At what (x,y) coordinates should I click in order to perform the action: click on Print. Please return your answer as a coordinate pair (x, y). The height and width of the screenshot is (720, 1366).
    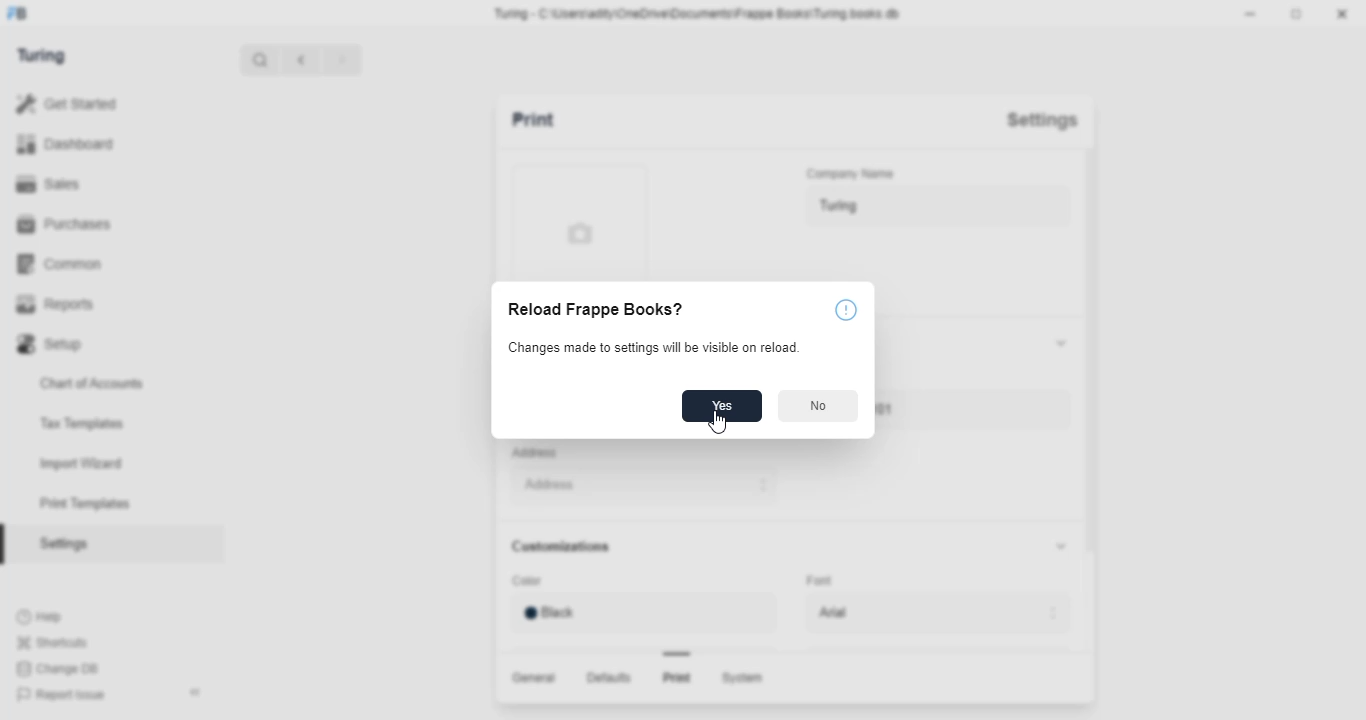
    Looking at the image, I should click on (552, 122).